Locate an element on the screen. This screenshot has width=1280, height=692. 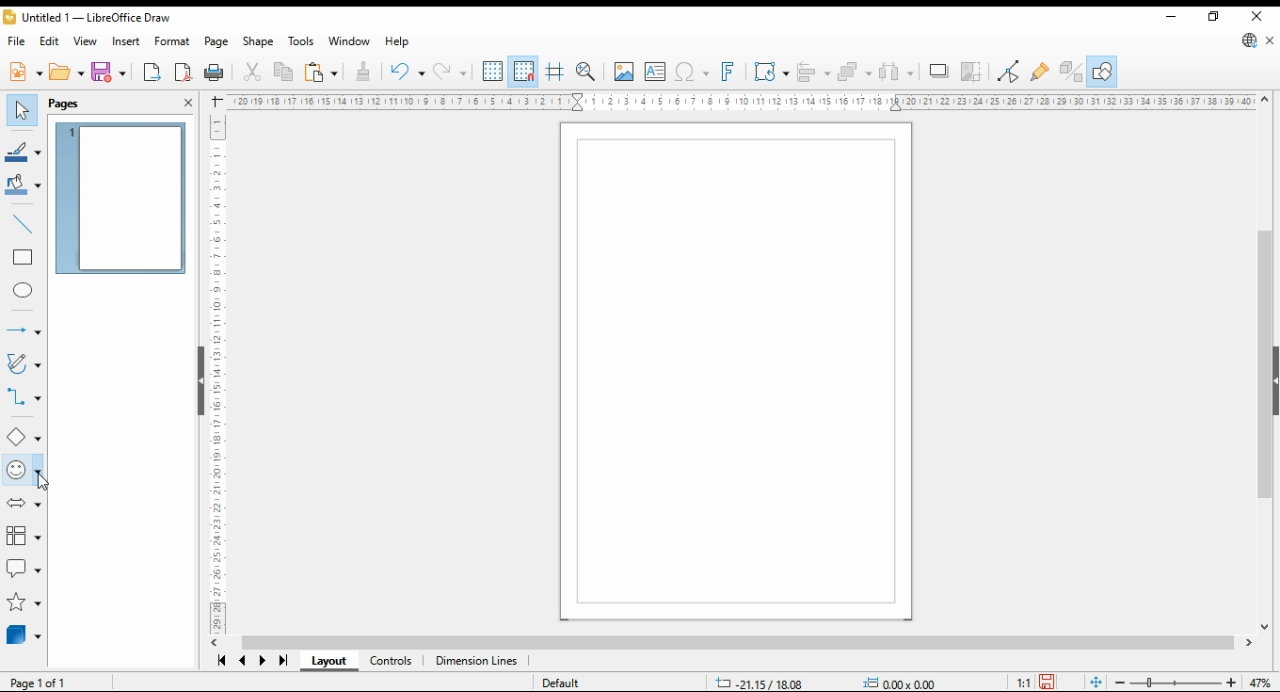
last page is located at coordinates (282, 663).